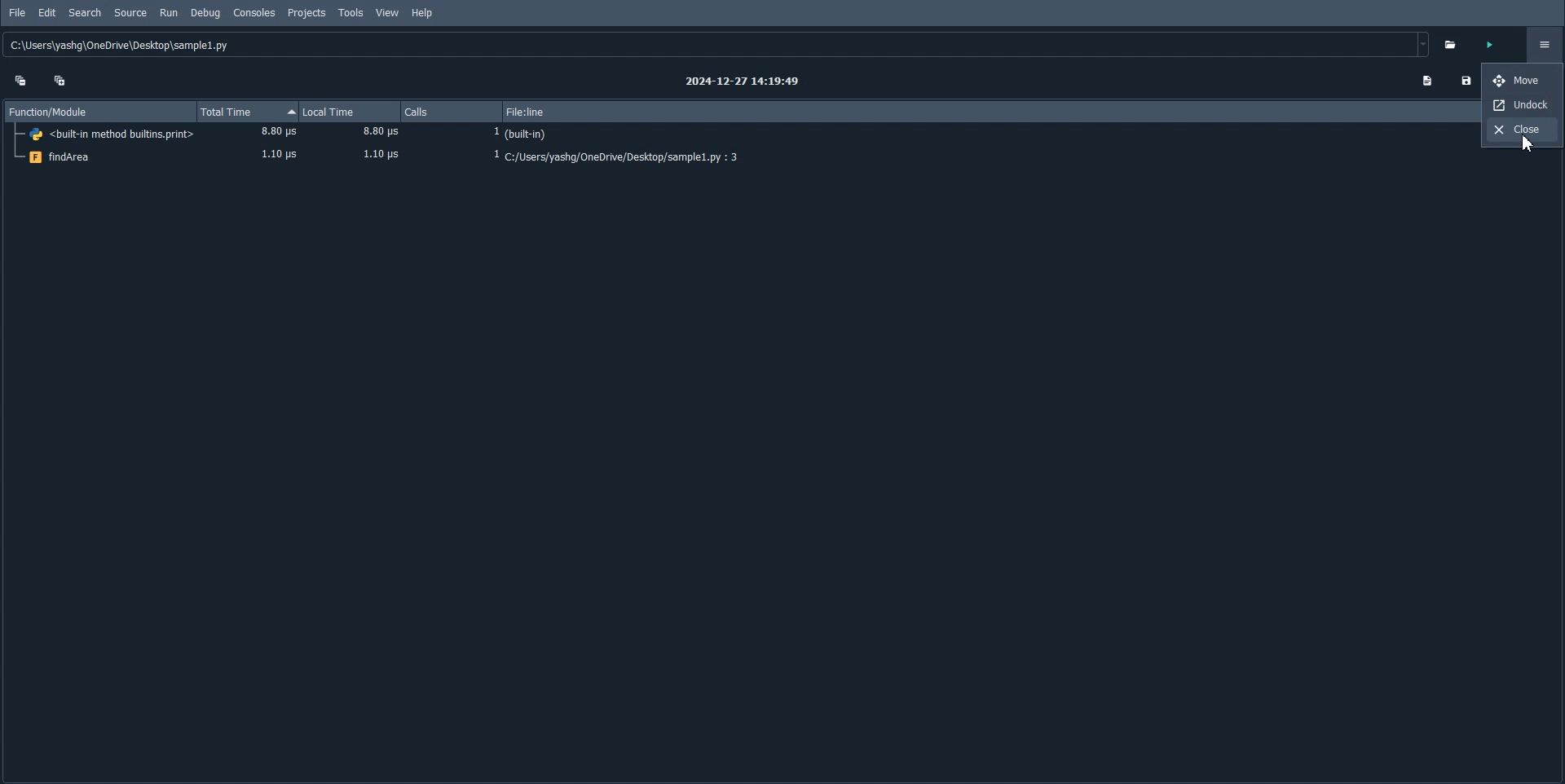  I want to click on Run, so click(169, 13).